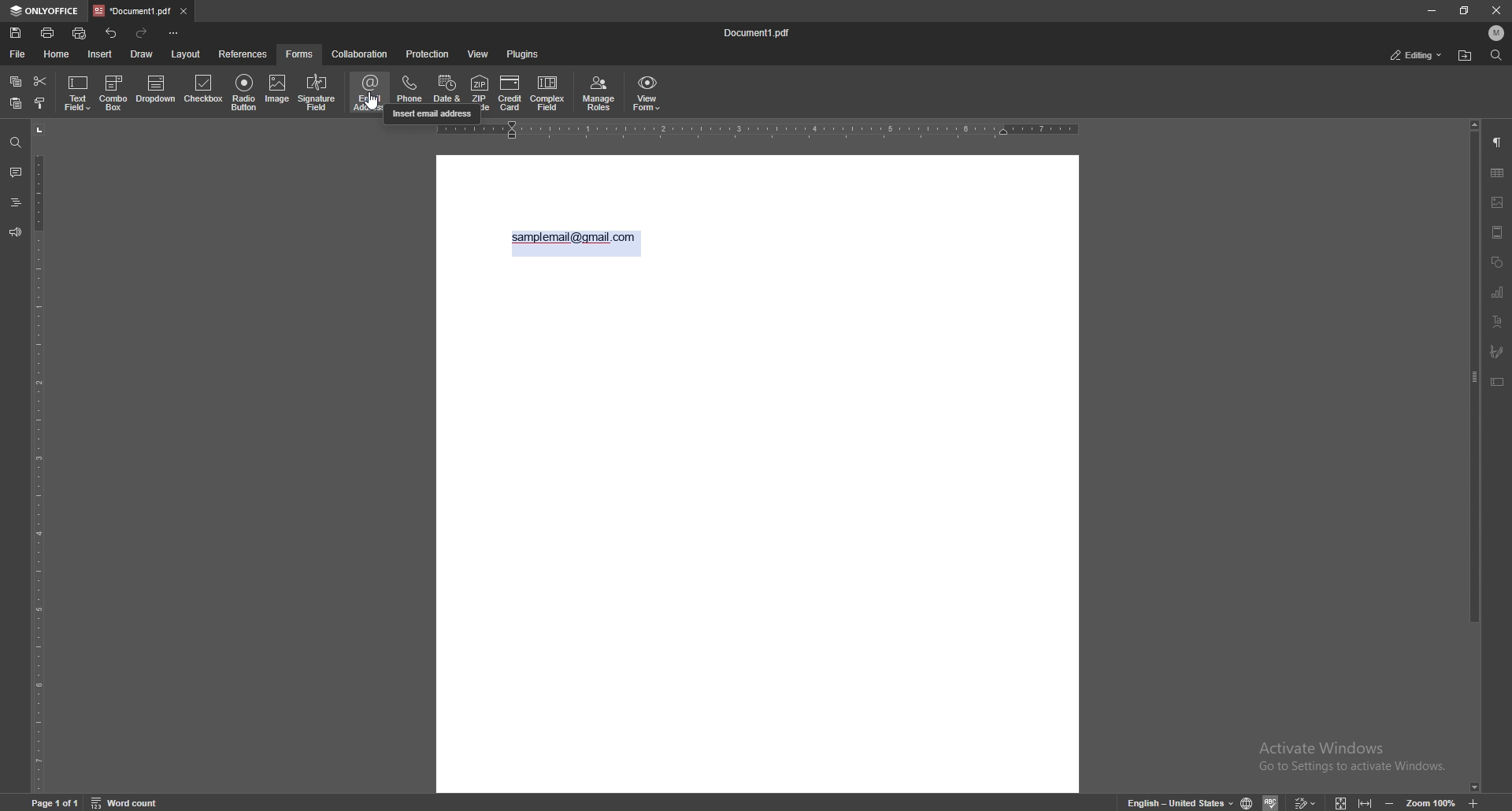 This screenshot has width=1512, height=811. What do you see at coordinates (1498, 231) in the screenshot?
I see `header and footer` at bounding box center [1498, 231].